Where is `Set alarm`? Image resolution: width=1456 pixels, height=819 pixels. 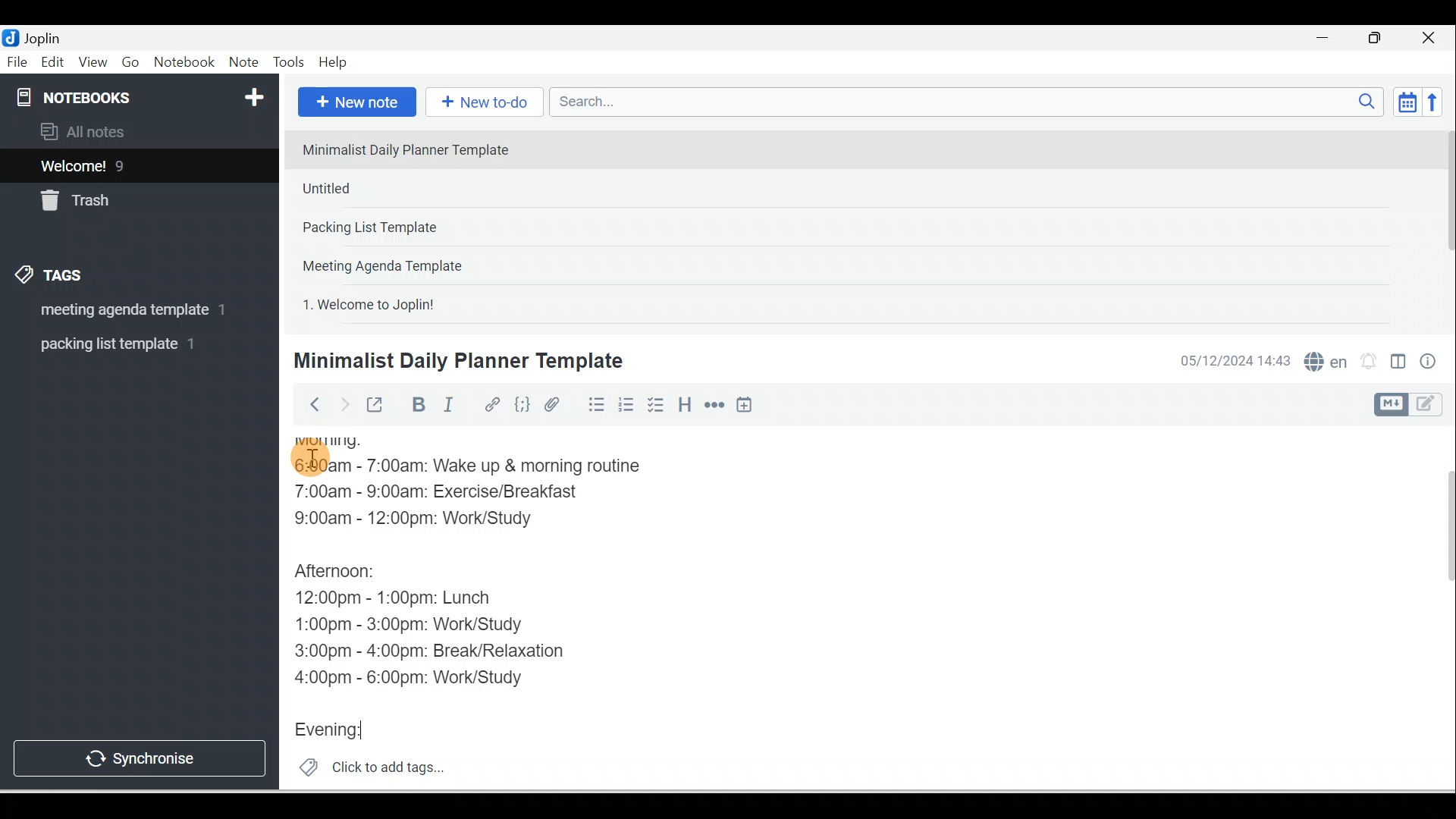 Set alarm is located at coordinates (1367, 362).